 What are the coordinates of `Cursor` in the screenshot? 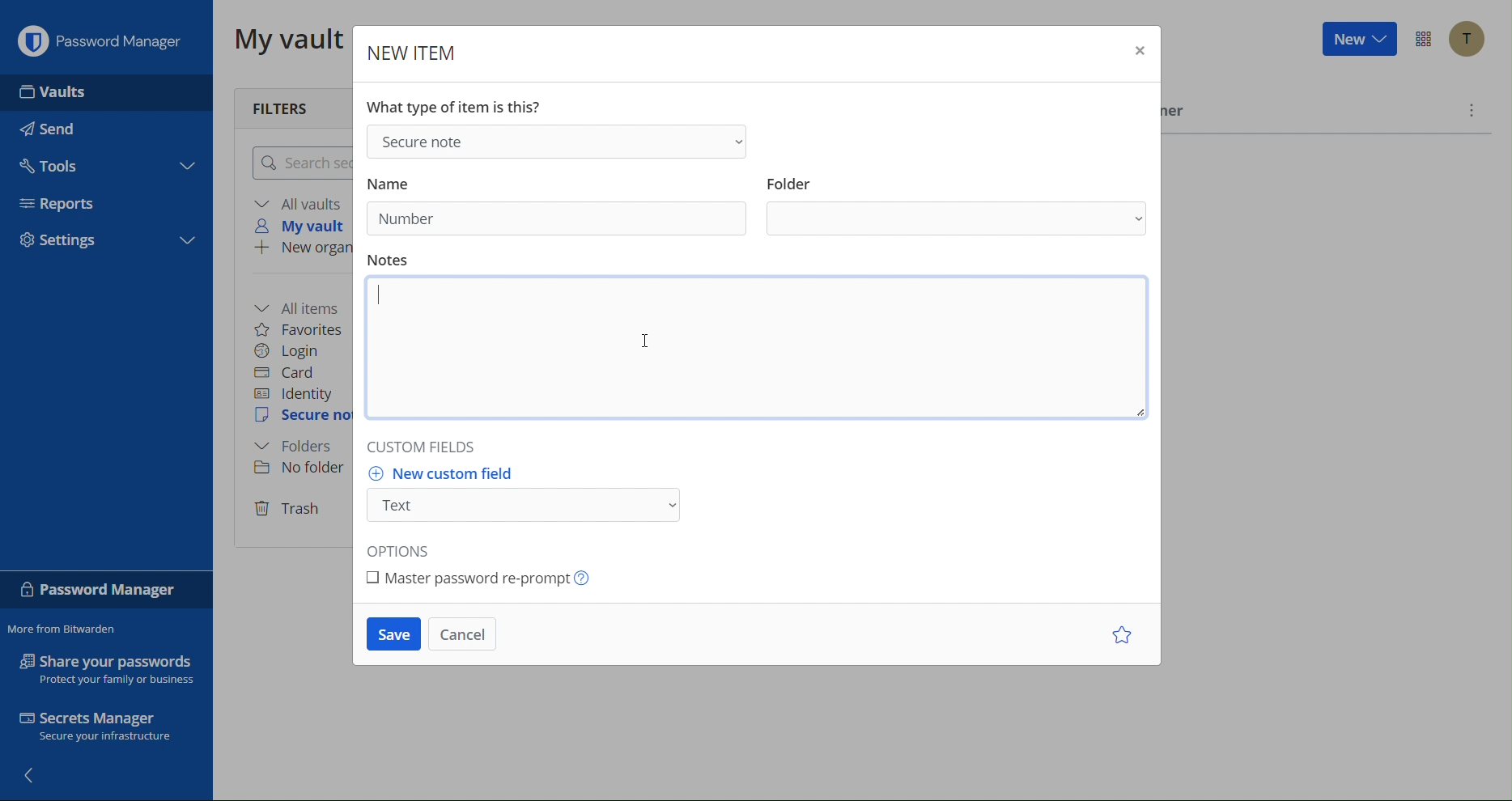 It's located at (647, 343).